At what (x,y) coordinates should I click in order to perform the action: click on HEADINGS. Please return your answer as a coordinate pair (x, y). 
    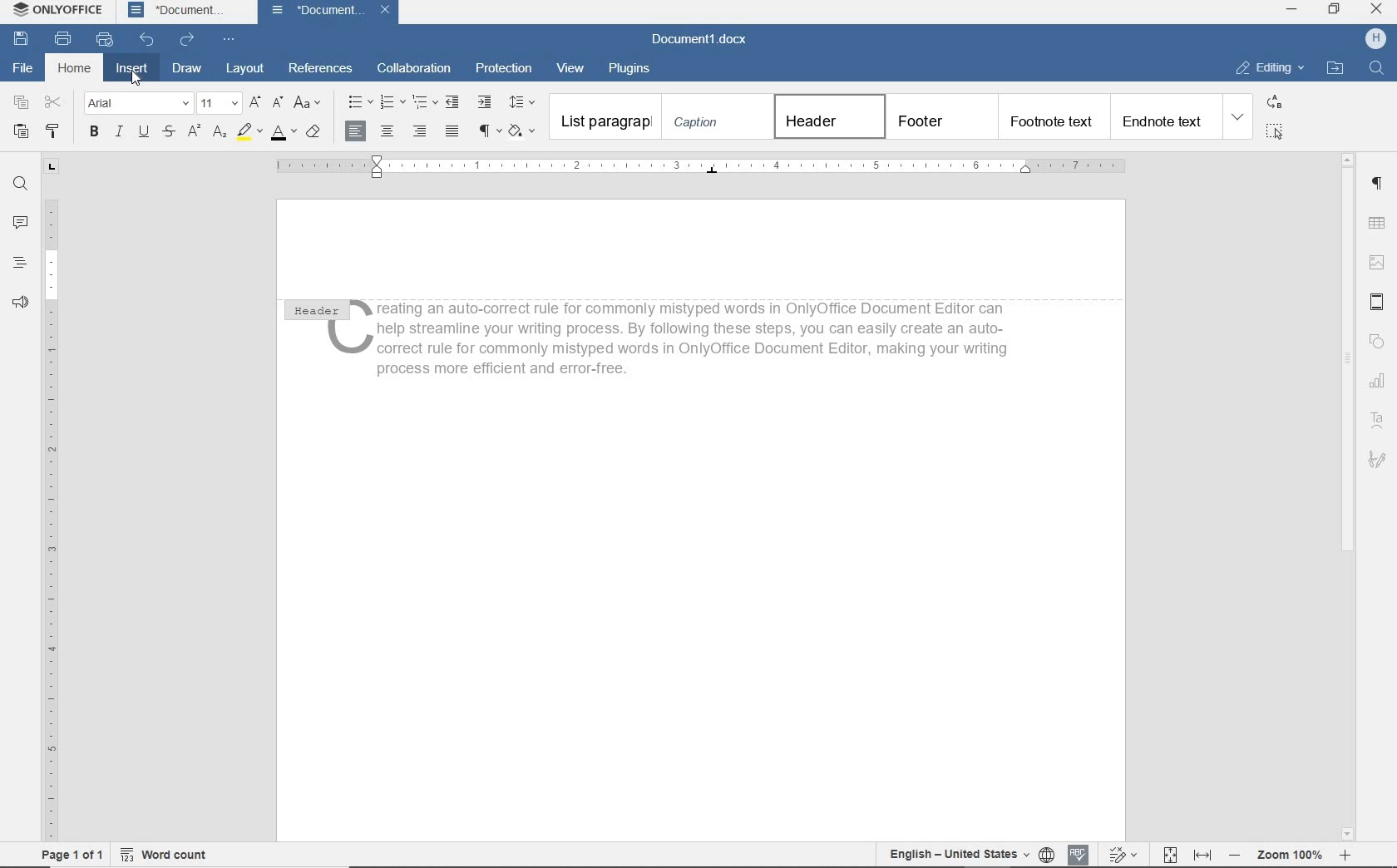
    Looking at the image, I should click on (20, 263).